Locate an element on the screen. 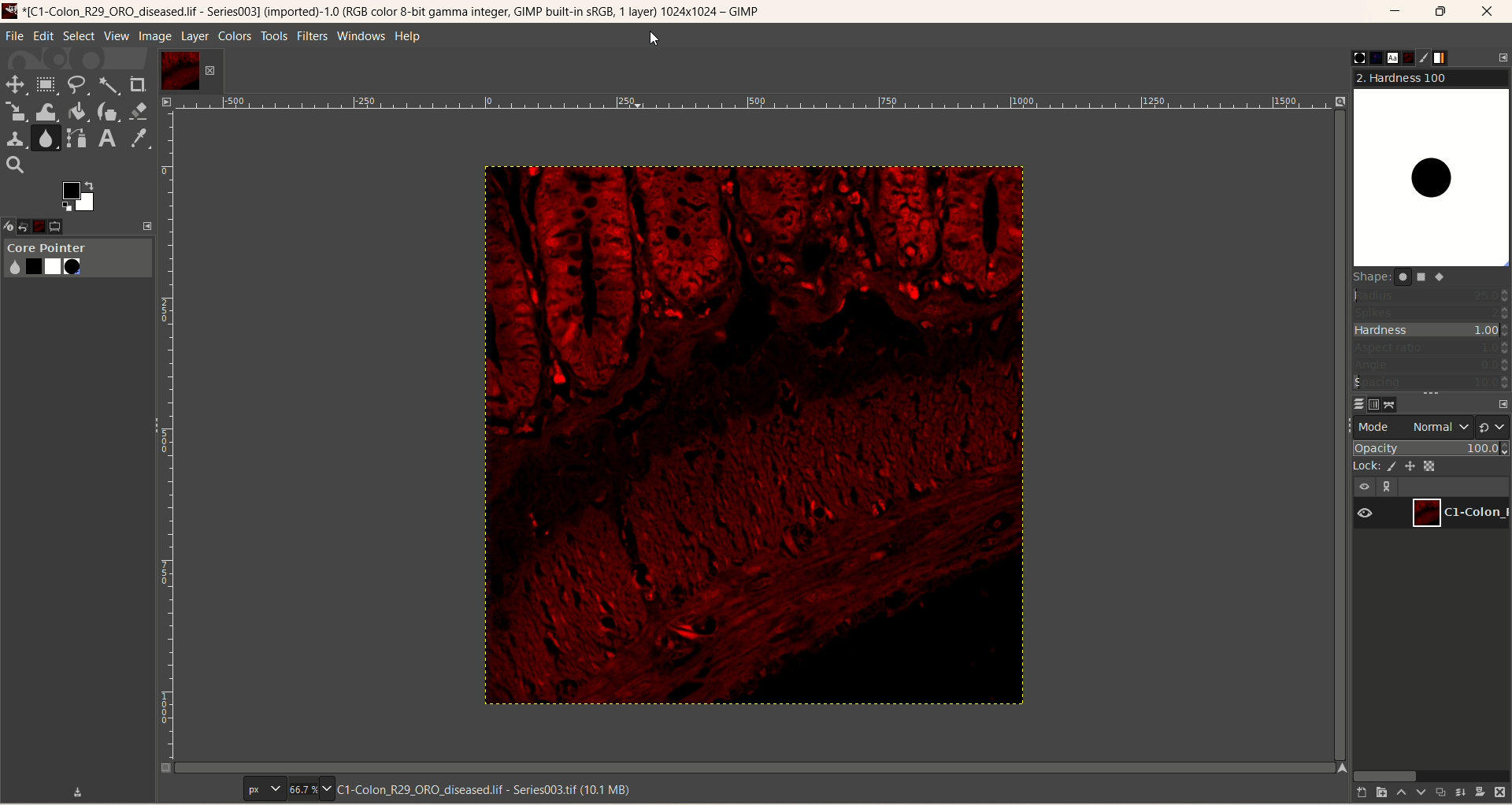  colors is located at coordinates (236, 36).